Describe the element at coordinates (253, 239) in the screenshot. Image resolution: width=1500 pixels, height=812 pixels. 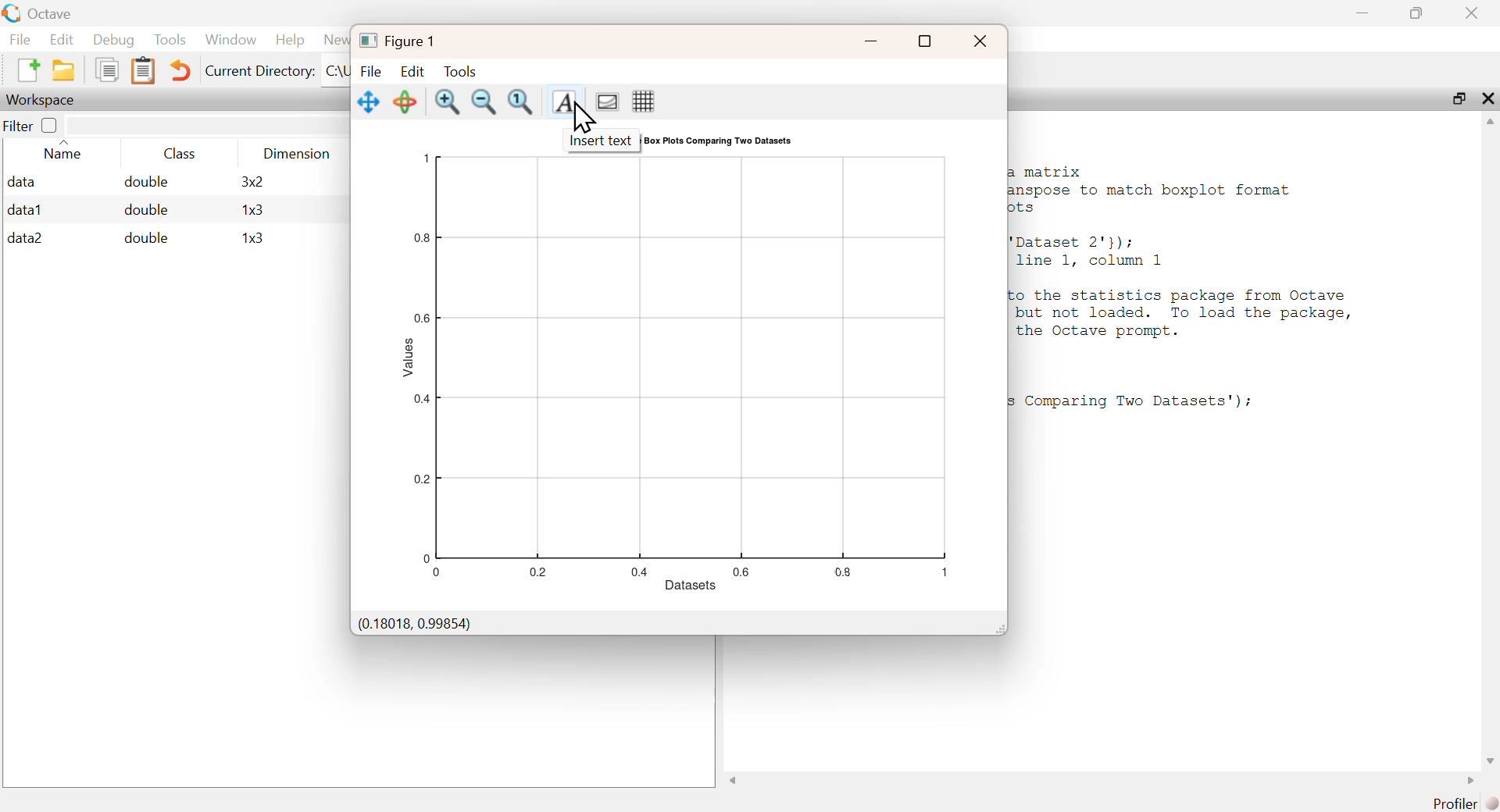
I see `1x3` at that location.